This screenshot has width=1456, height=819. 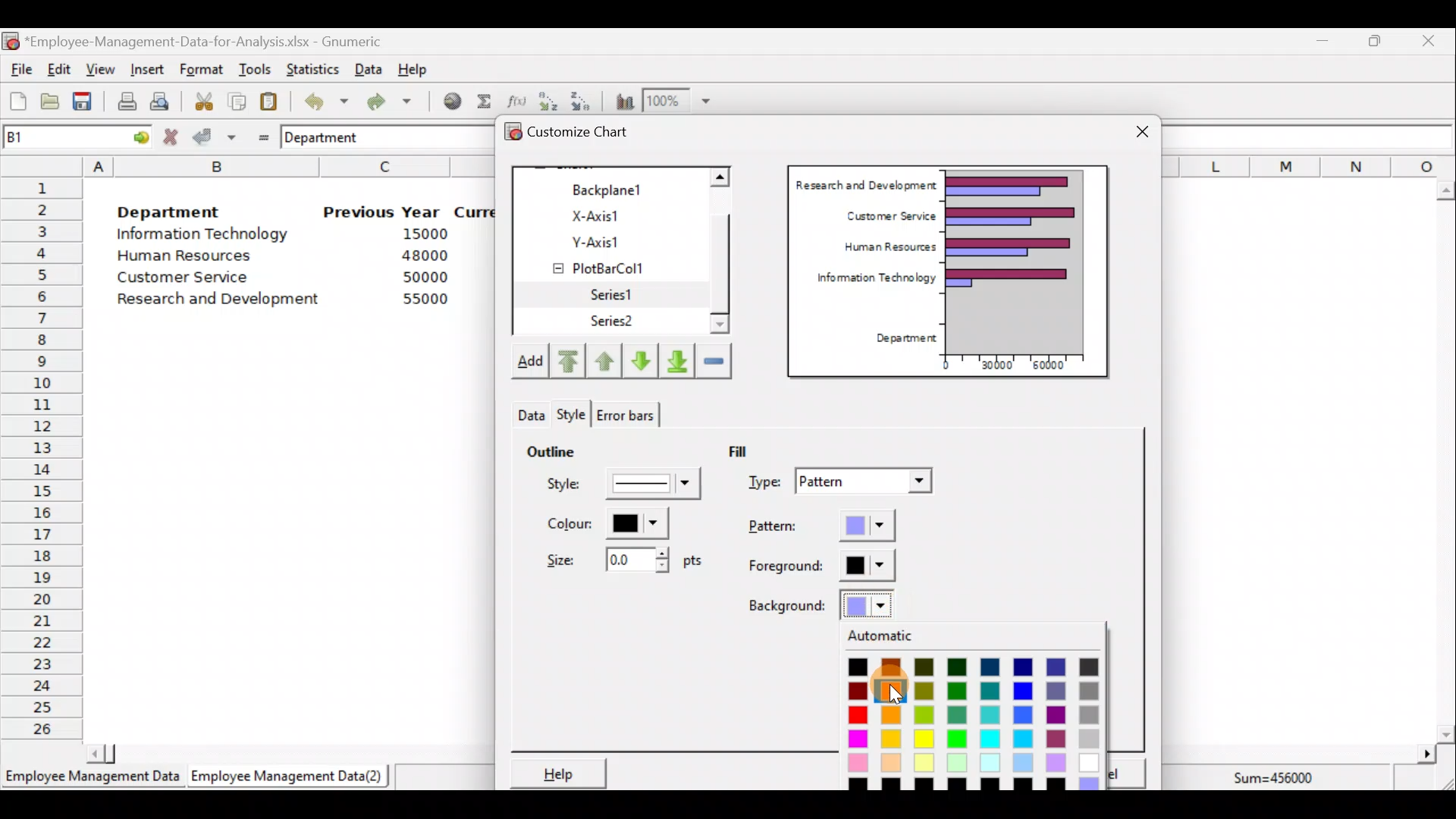 What do you see at coordinates (419, 233) in the screenshot?
I see `15000` at bounding box center [419, 233].